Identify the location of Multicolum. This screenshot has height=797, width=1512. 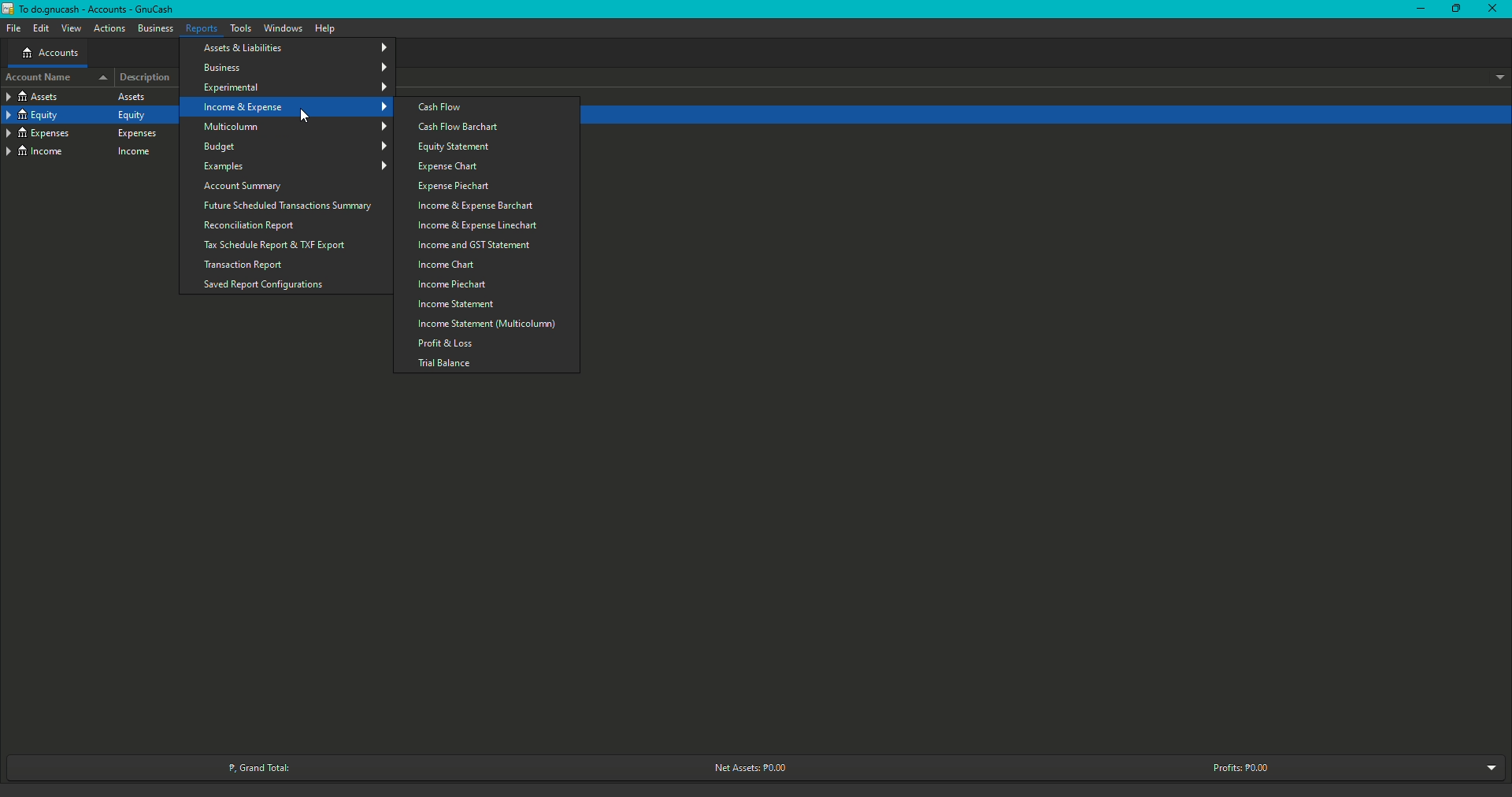
(298, 127).